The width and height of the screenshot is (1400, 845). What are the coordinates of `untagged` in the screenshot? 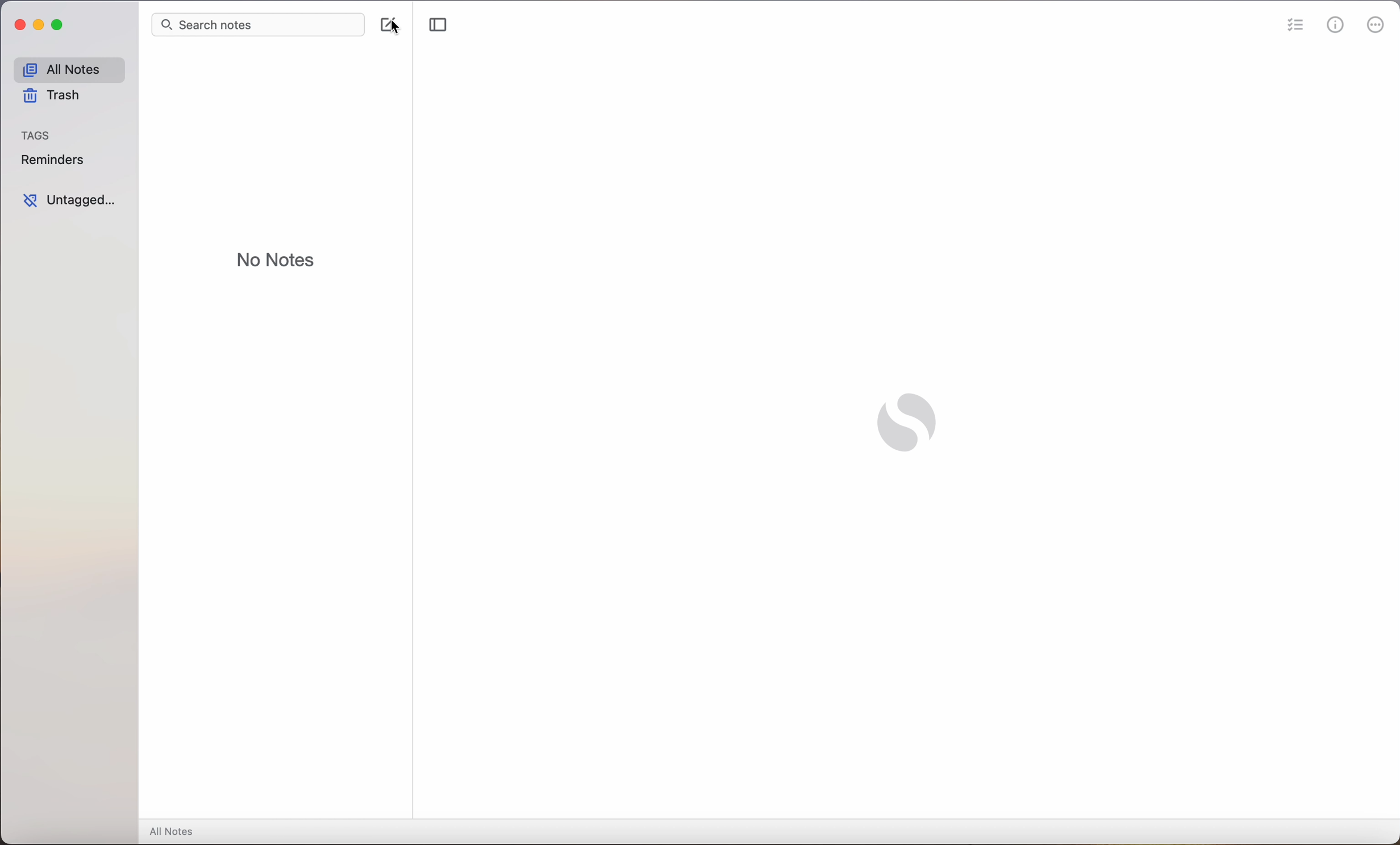 It's located at (69, 200).